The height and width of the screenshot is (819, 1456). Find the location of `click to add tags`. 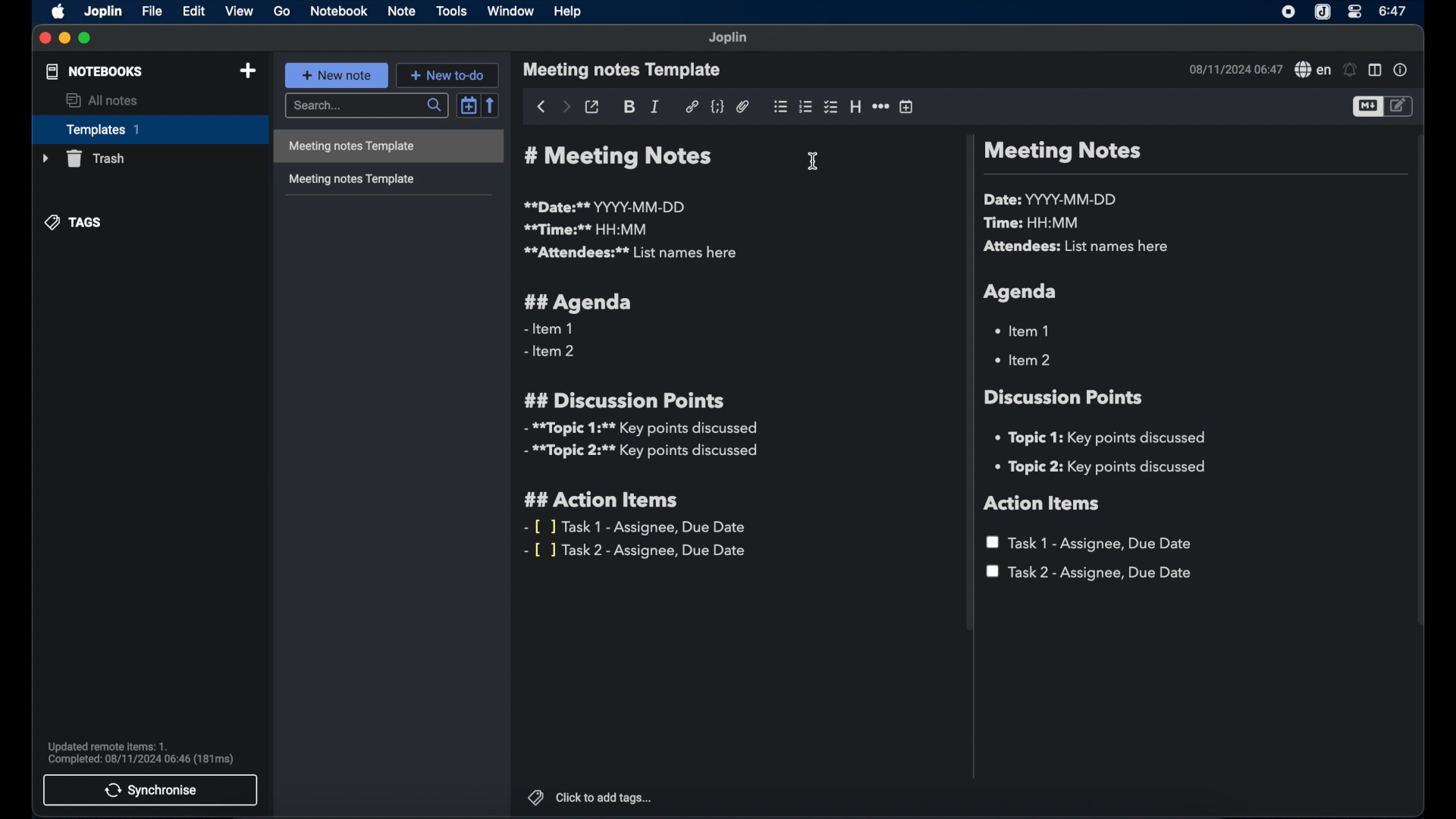

click to add tags is located at coordinates (591, 798).